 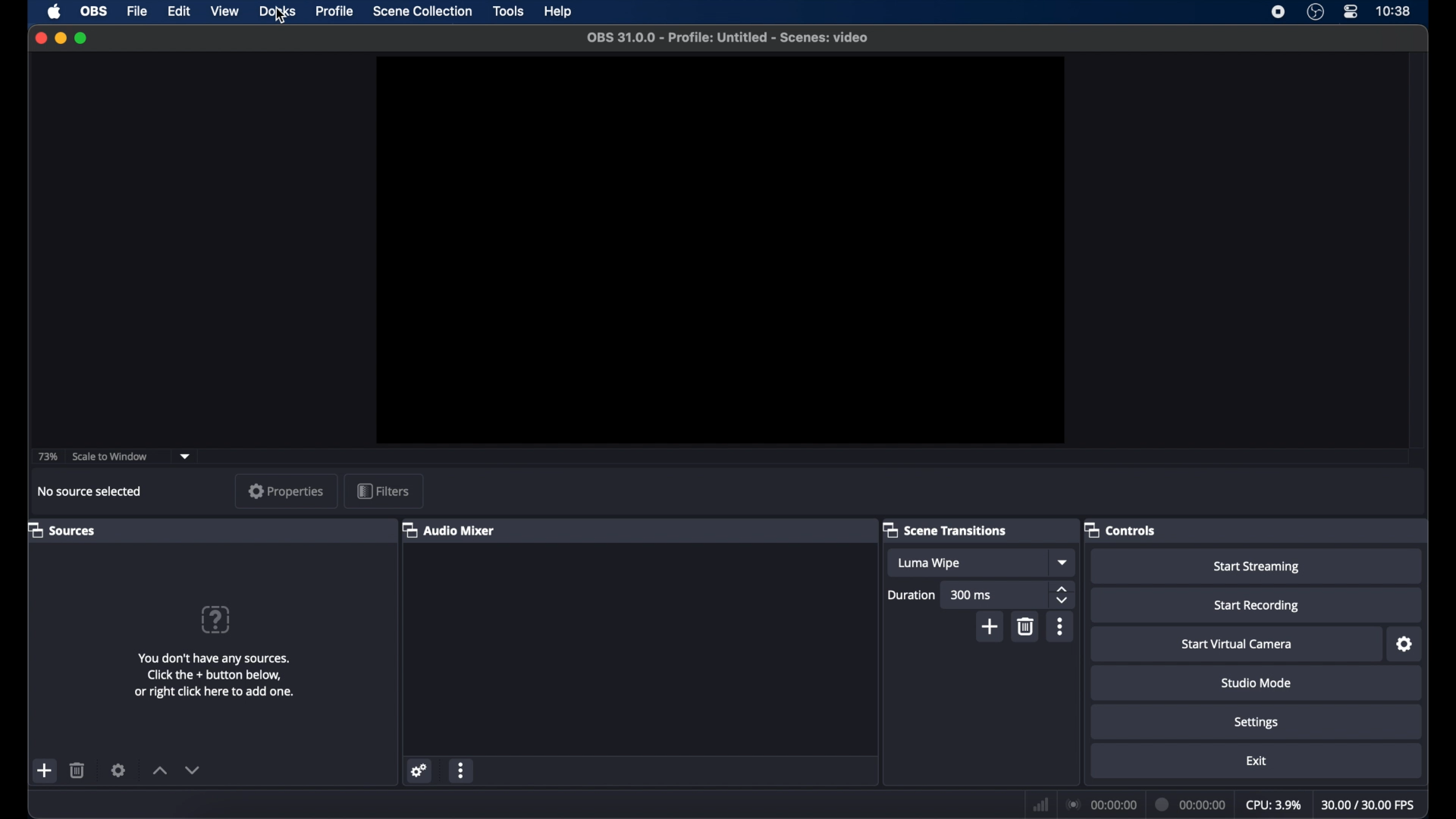 What do you see at coordinates (224, 10) in the screenshot?
I see `view` at bounding box center [224, 10].